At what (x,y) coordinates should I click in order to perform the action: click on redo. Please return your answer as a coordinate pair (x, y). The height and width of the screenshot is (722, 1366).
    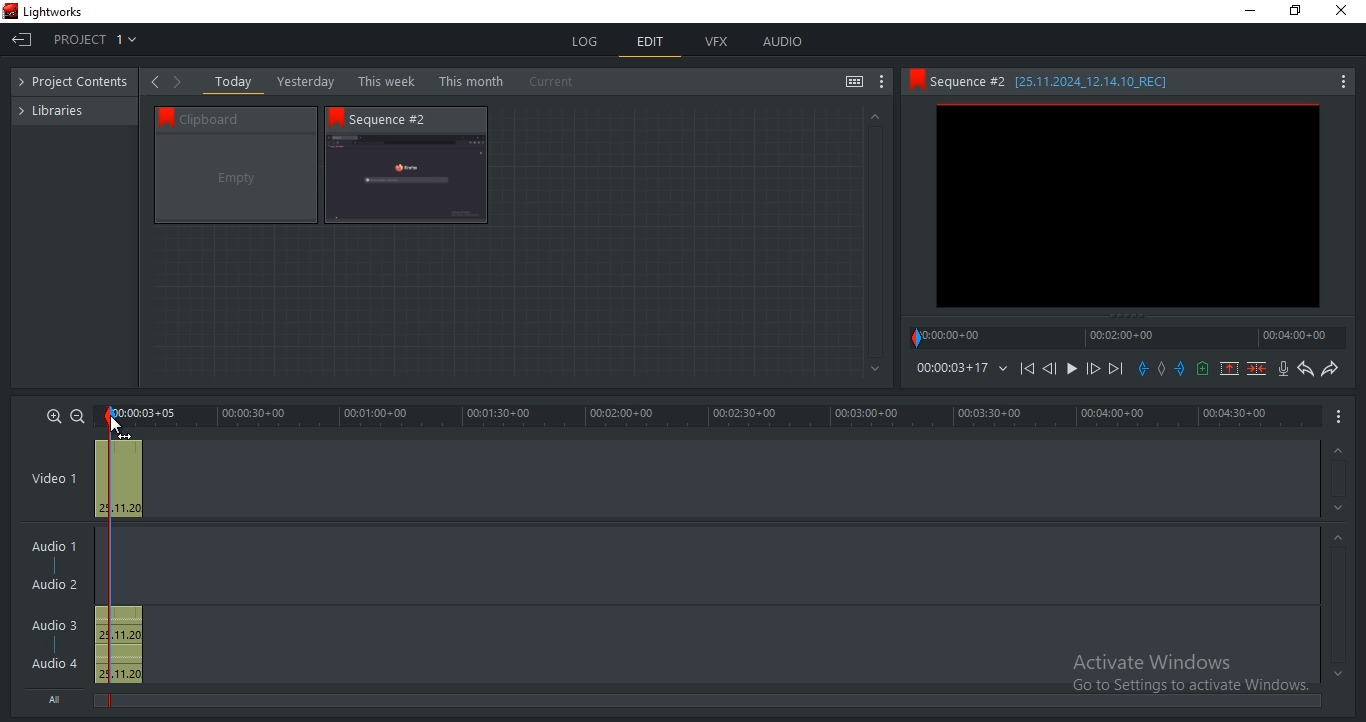
    Looking at the image, I should click on (1329, 368).